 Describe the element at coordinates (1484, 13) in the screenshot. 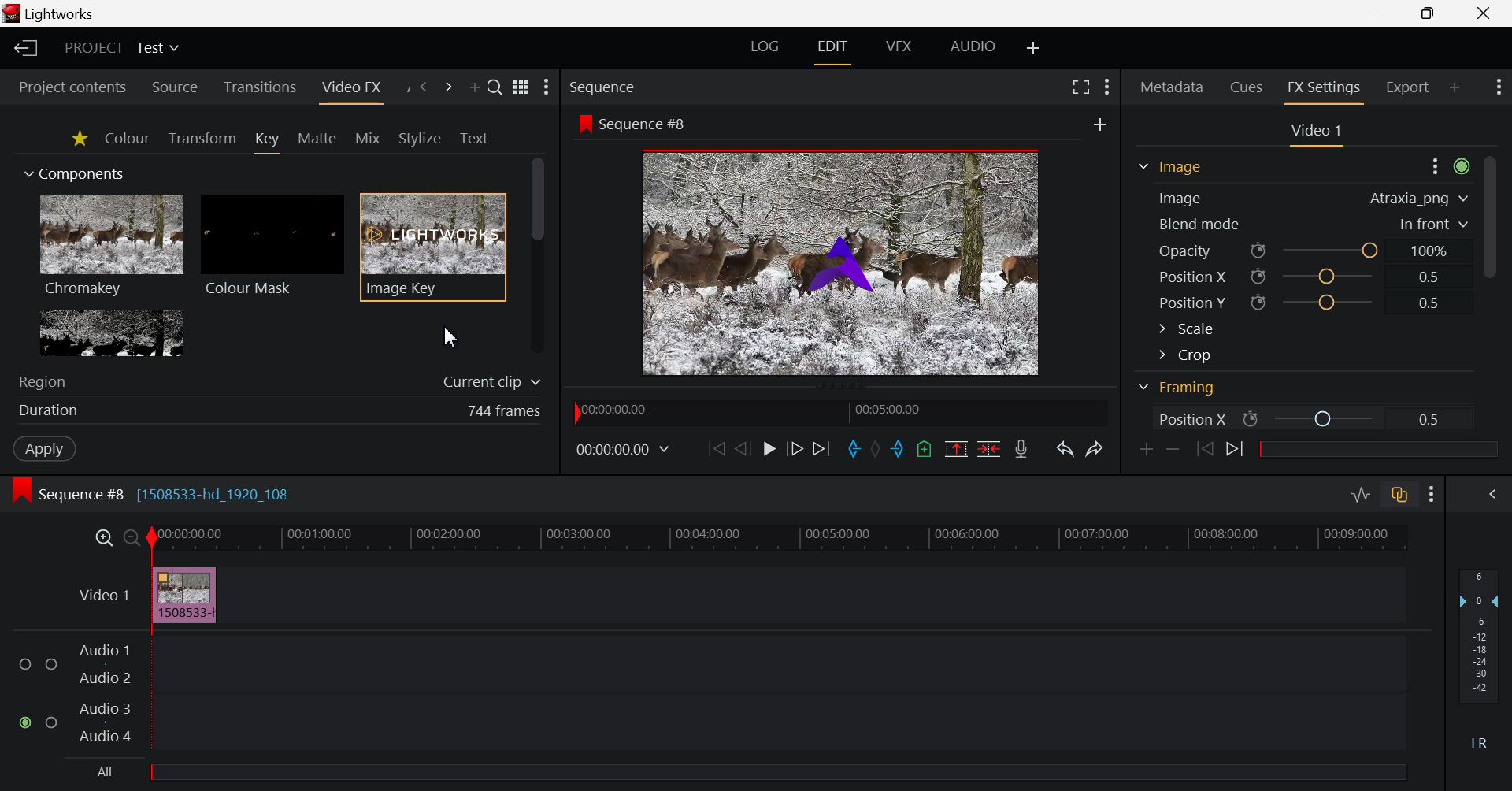

I see `Close` at that location.